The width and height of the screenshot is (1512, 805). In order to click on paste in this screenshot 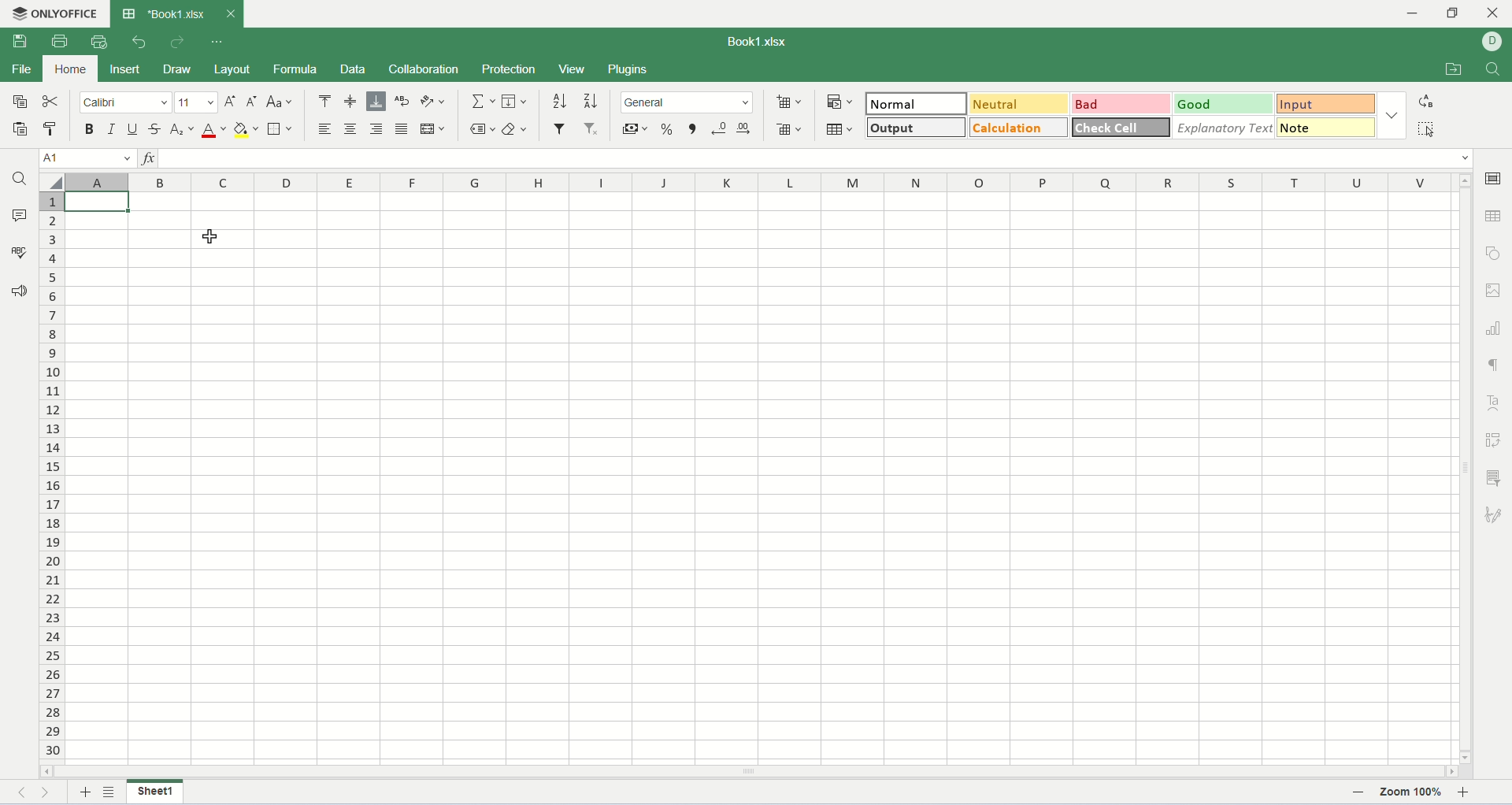, I will do `click(18, 130)`.